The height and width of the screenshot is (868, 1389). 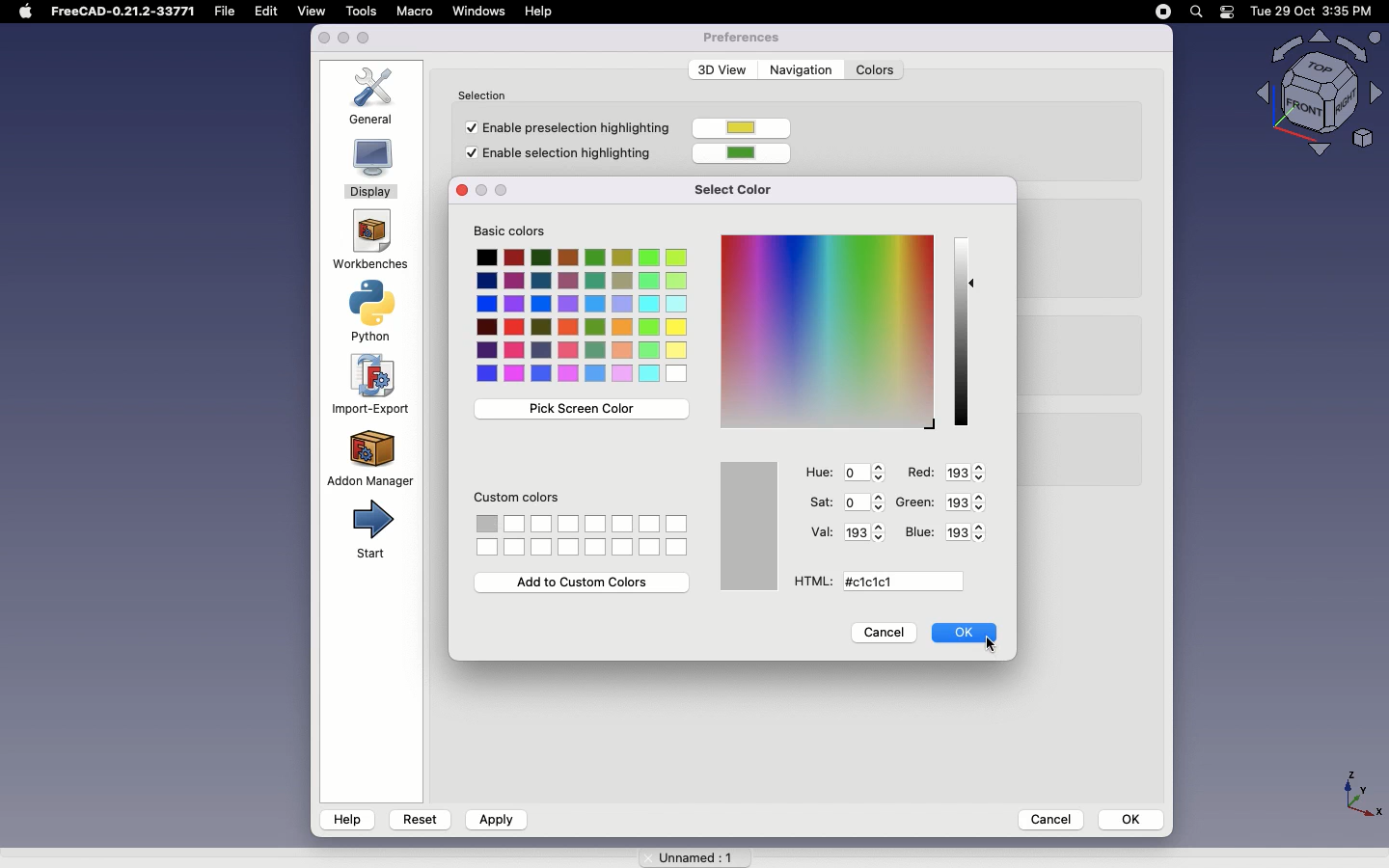 I want to click on Import-Export, so click(x=374, y=385).